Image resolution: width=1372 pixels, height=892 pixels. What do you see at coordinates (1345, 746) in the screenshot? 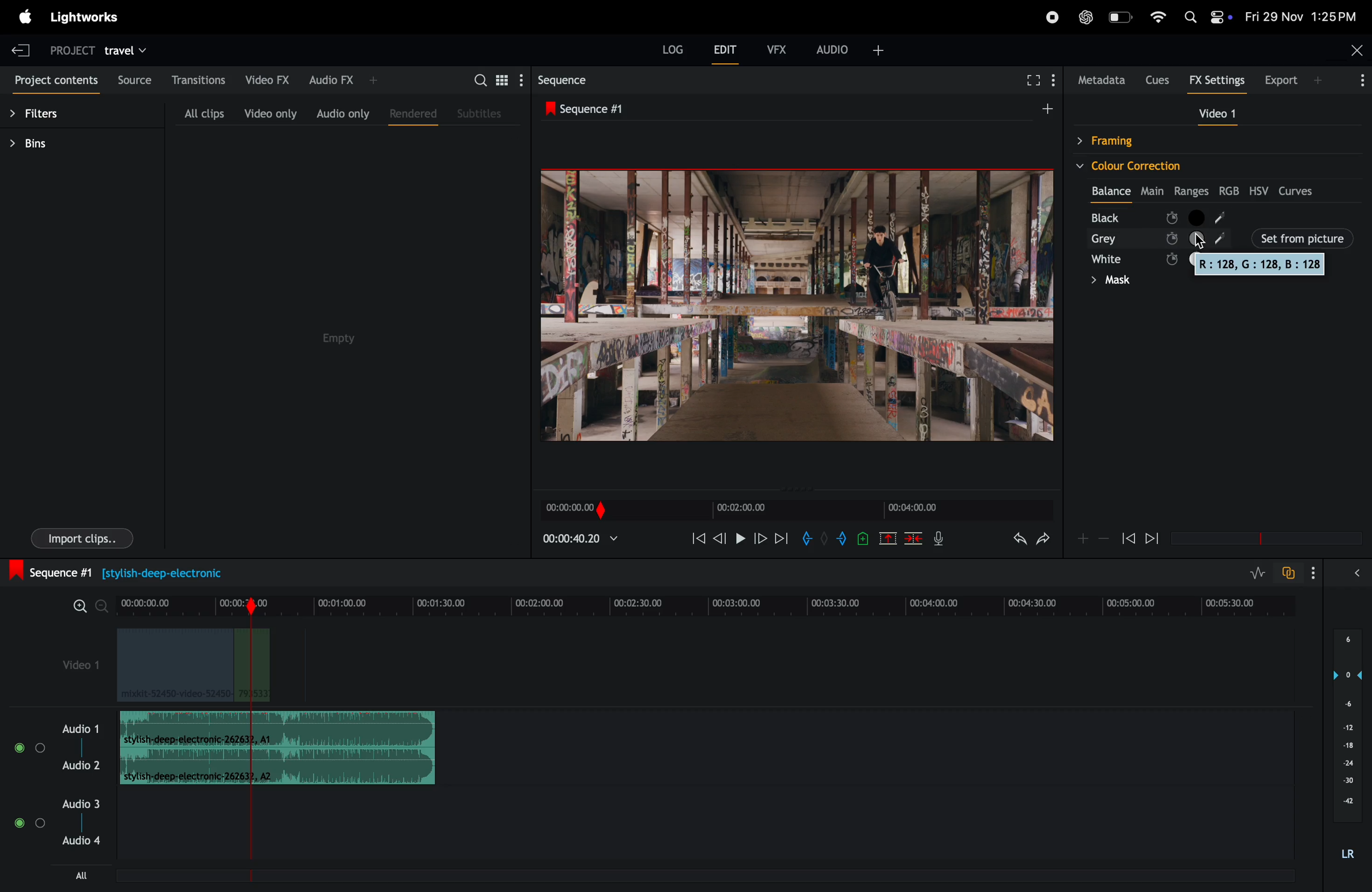
I see `audio pitch` at bounding box center [1345, 746].